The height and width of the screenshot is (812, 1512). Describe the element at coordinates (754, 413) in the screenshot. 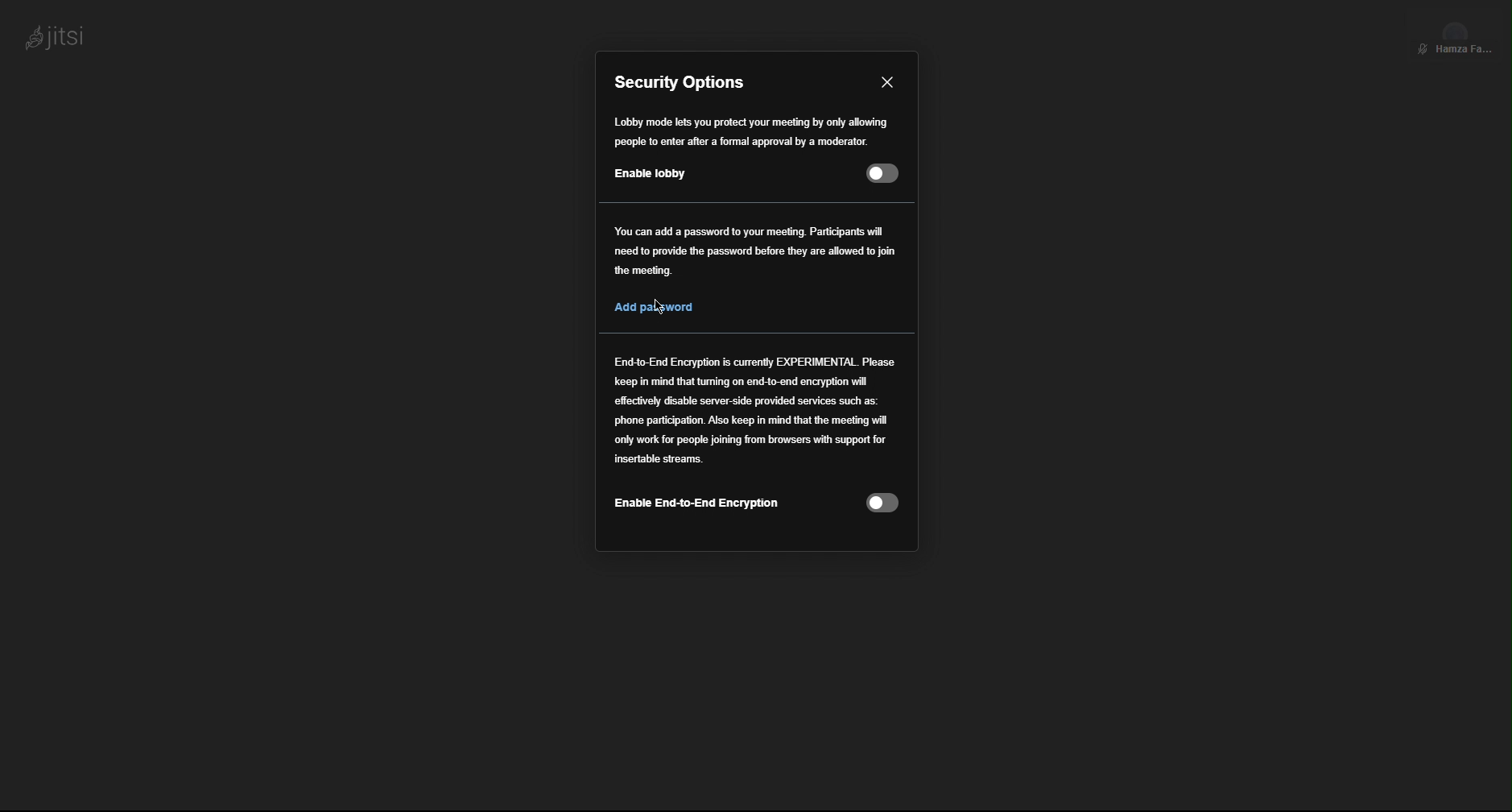

I see `End to End Encryption` at that location.